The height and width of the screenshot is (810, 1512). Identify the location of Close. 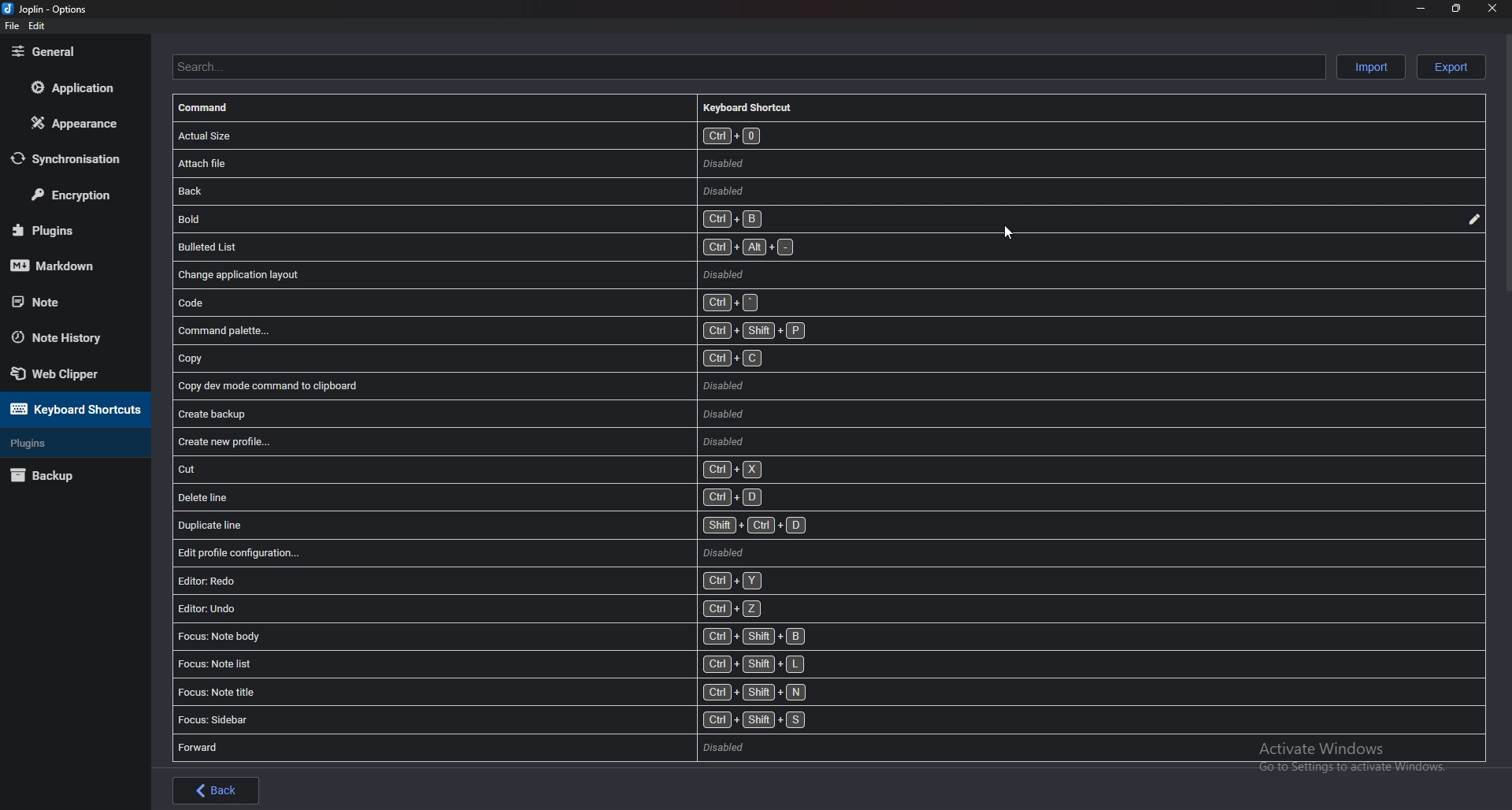
(1491, 9).